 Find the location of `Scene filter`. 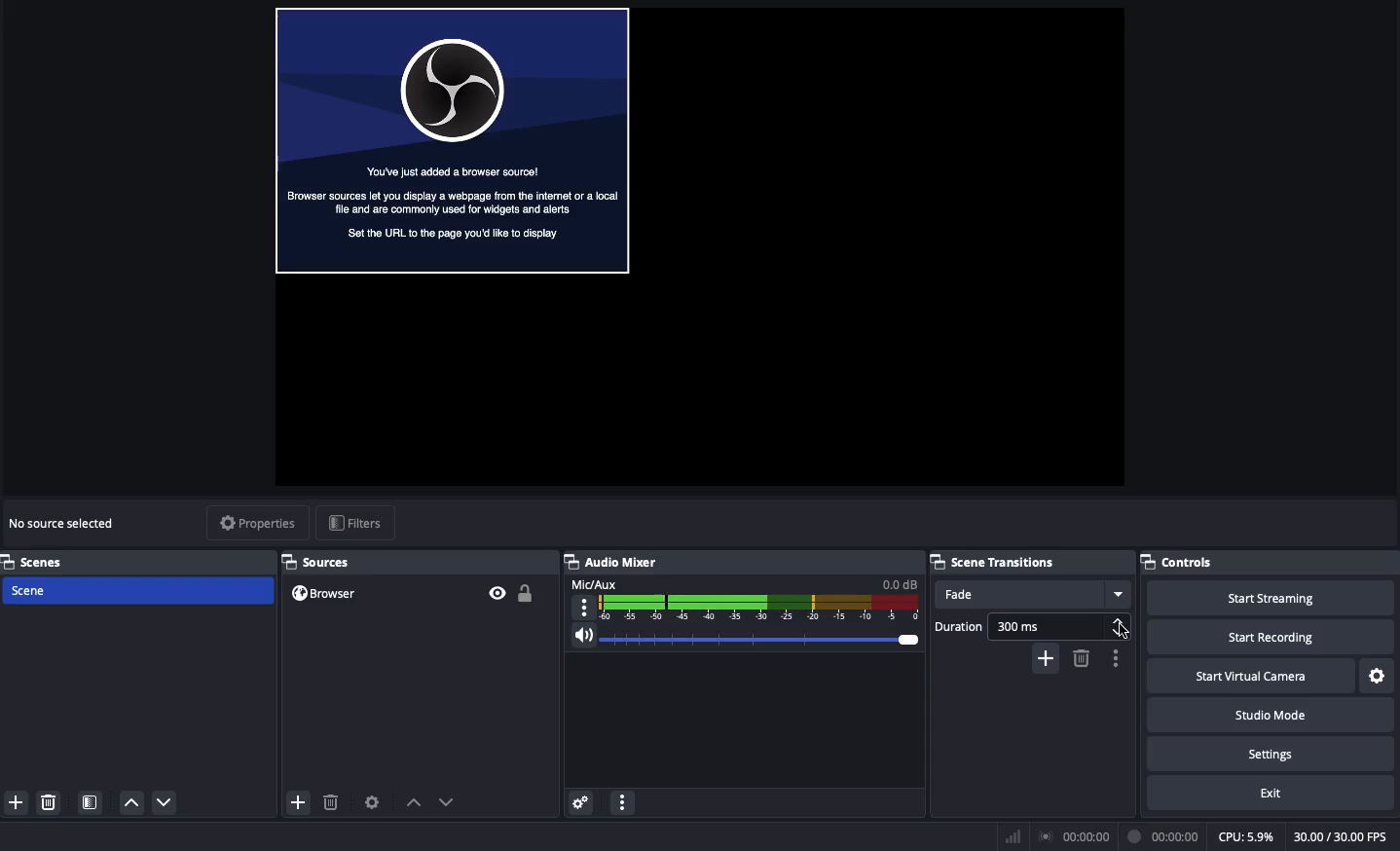

Scene filter is located at coordinates (91, 804).